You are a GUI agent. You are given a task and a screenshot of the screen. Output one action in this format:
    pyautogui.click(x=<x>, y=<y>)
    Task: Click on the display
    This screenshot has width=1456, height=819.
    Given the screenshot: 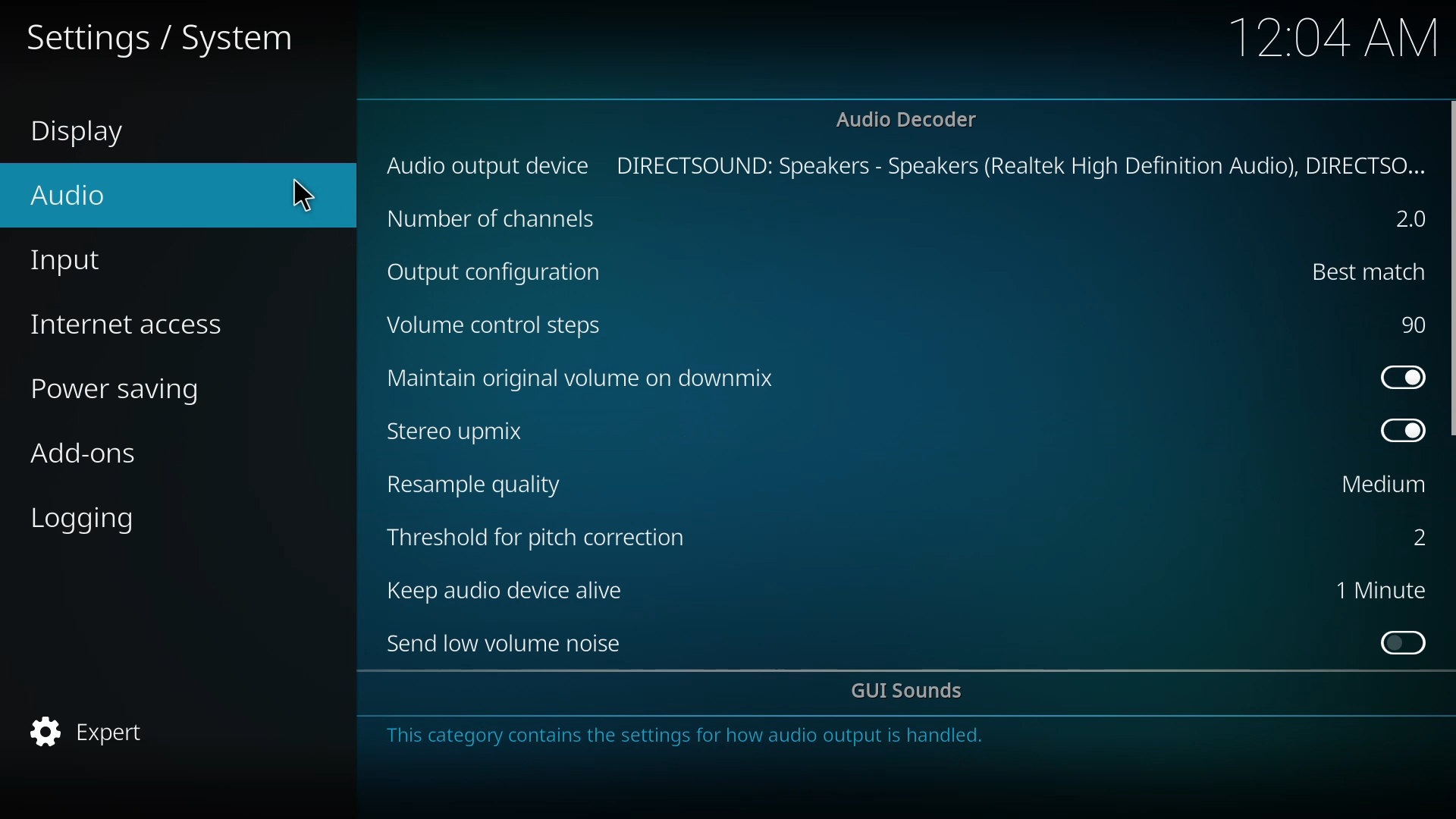 What is the action you would take?
    pyautogui.click(x=92, y=134)
    